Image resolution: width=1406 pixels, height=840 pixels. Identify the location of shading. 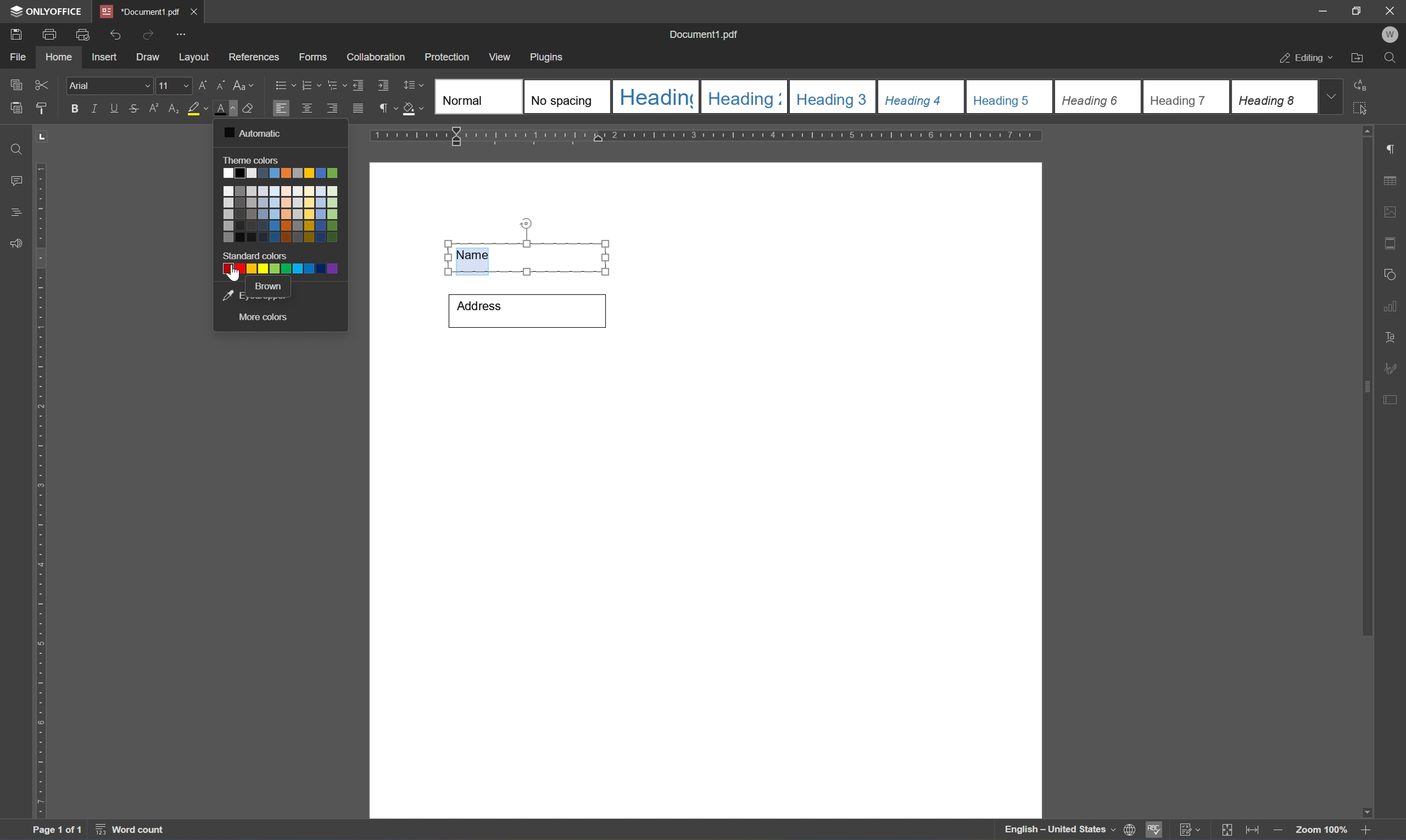
(414, 110).